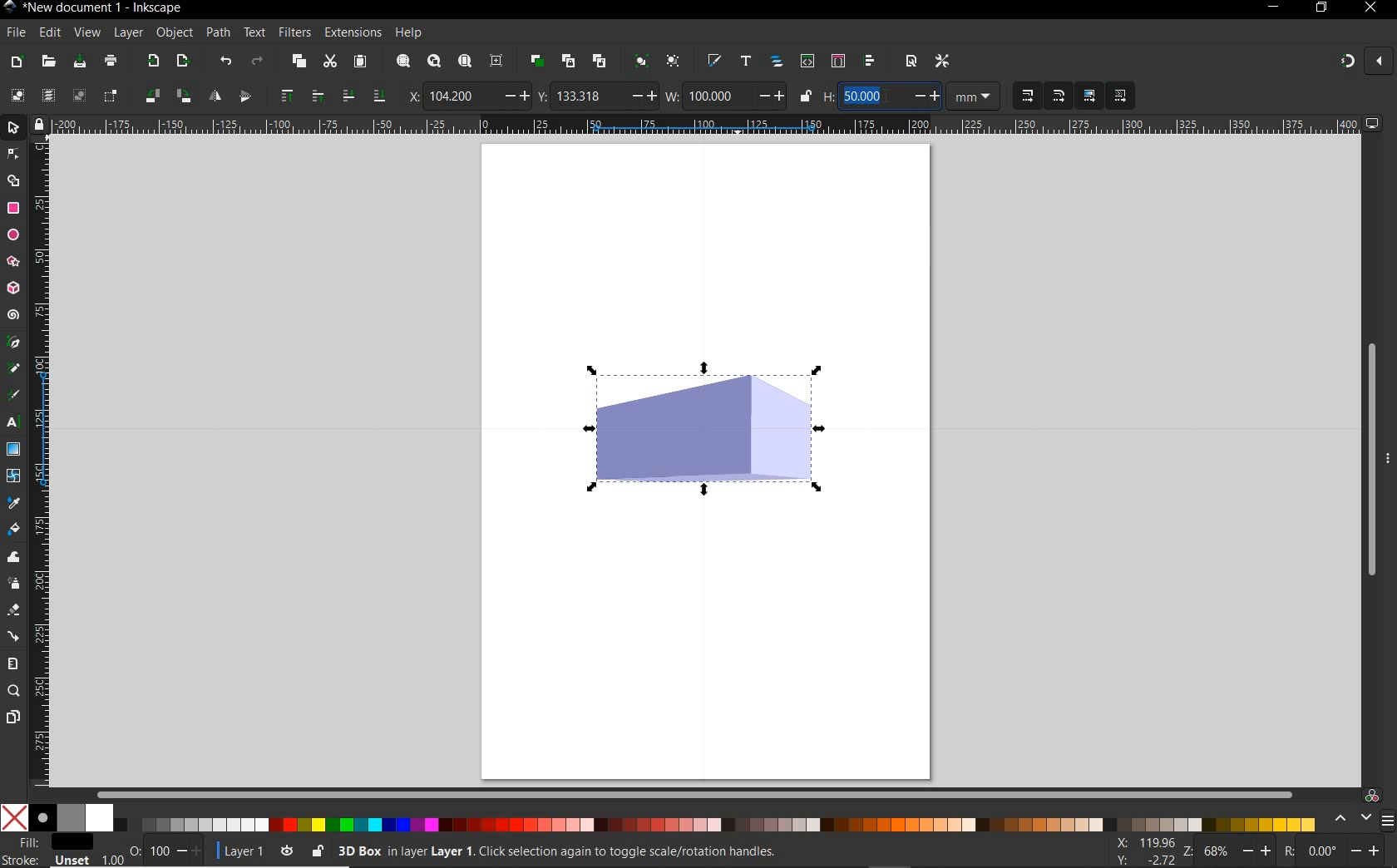 The image size is (1397, 868). I want to click on copy, so click(298, 61).